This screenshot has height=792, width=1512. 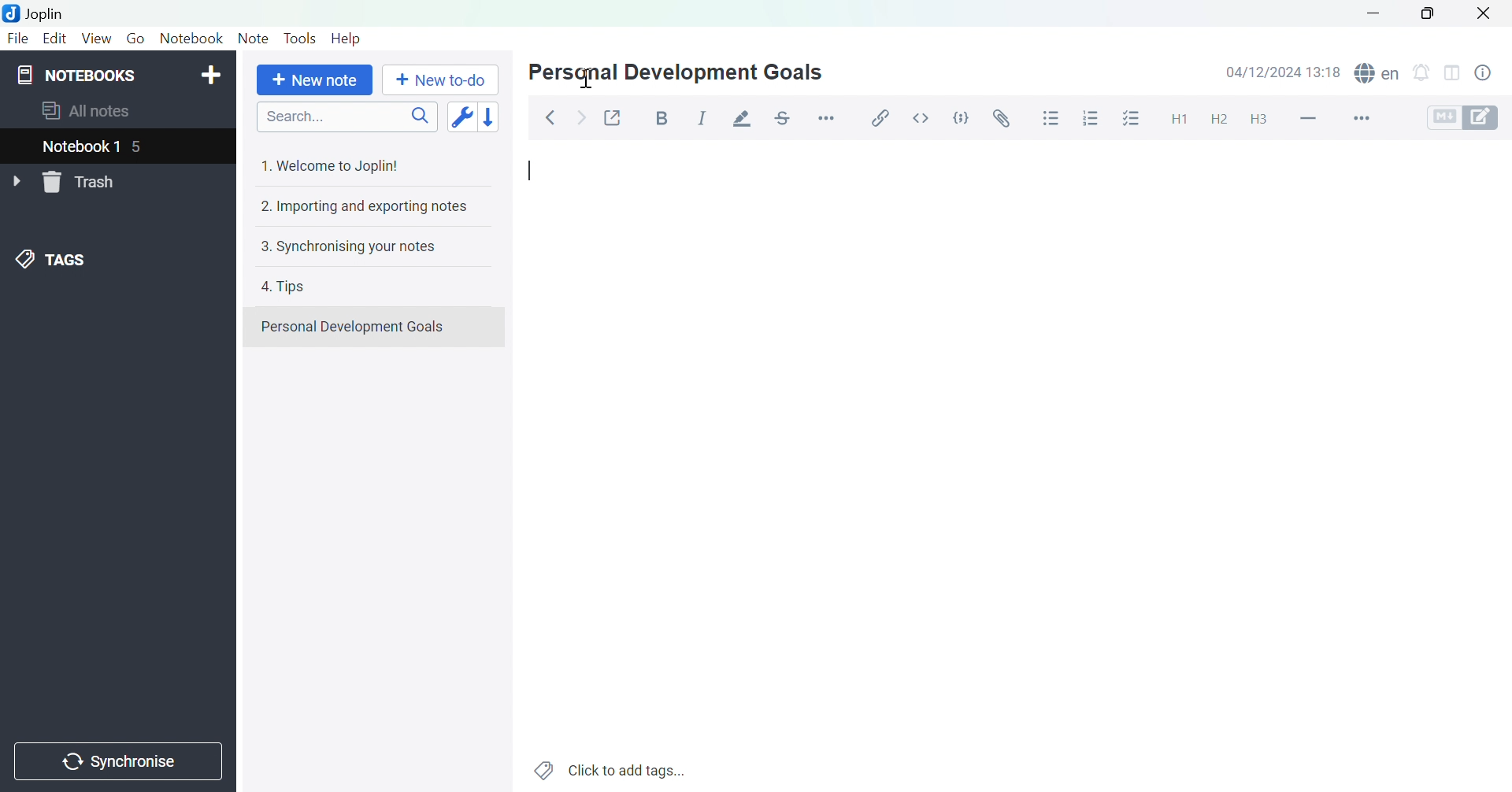 What do you see at coordinates (532, 172) in the screenshot?
I see `Typing cursor` at bounding box center [532, 172].